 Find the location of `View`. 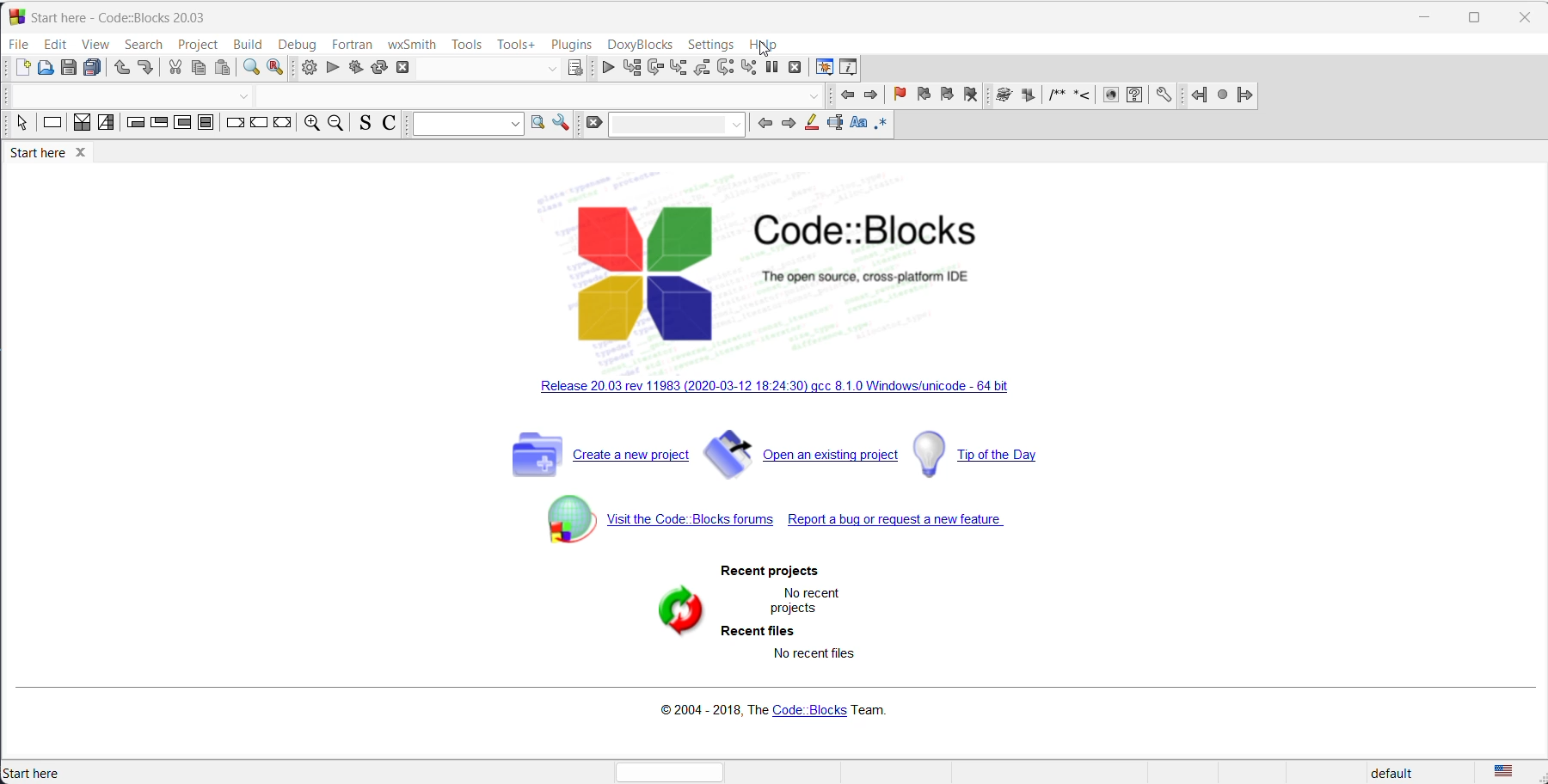

View is located at coordinates (97, 44).